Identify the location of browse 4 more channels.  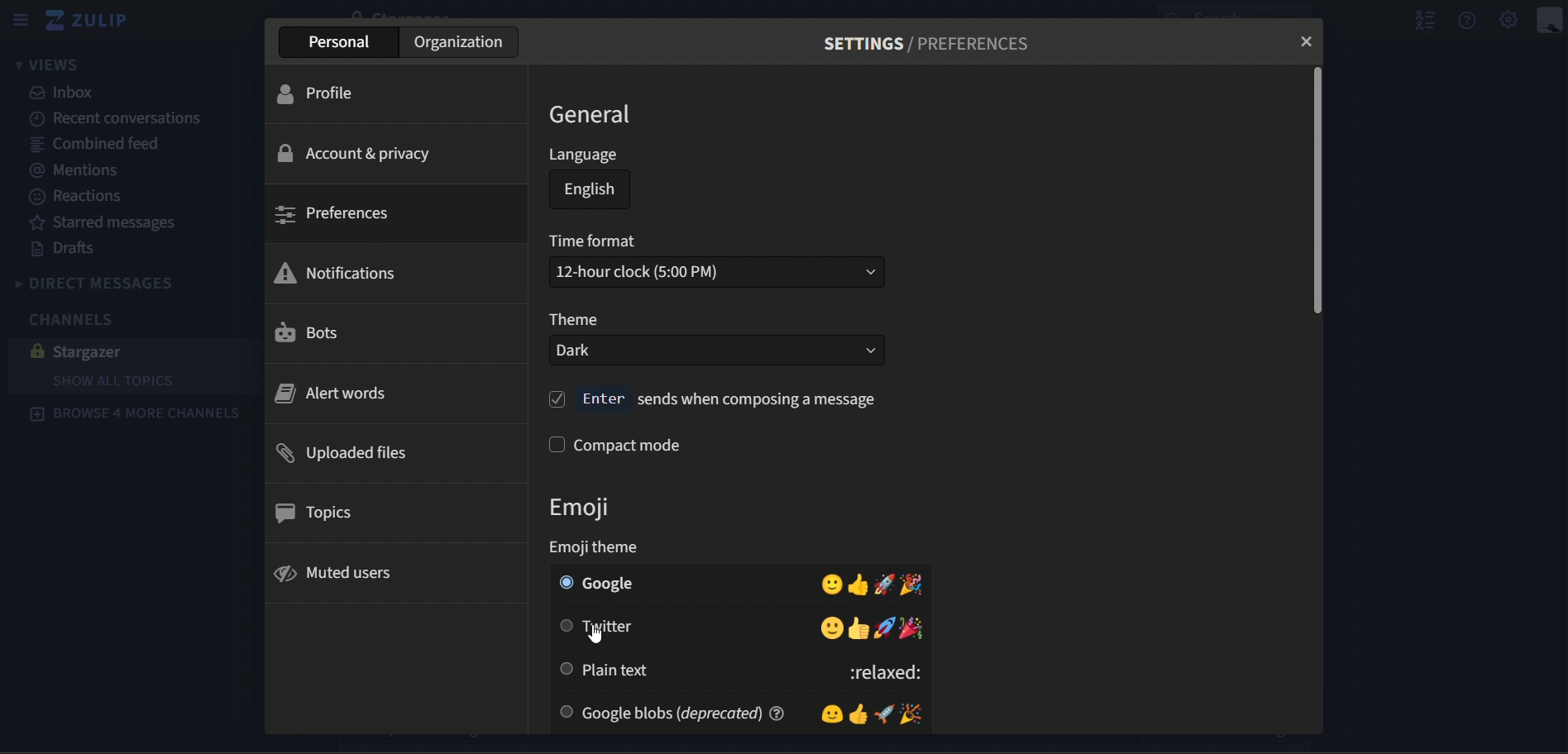
(136, 416).